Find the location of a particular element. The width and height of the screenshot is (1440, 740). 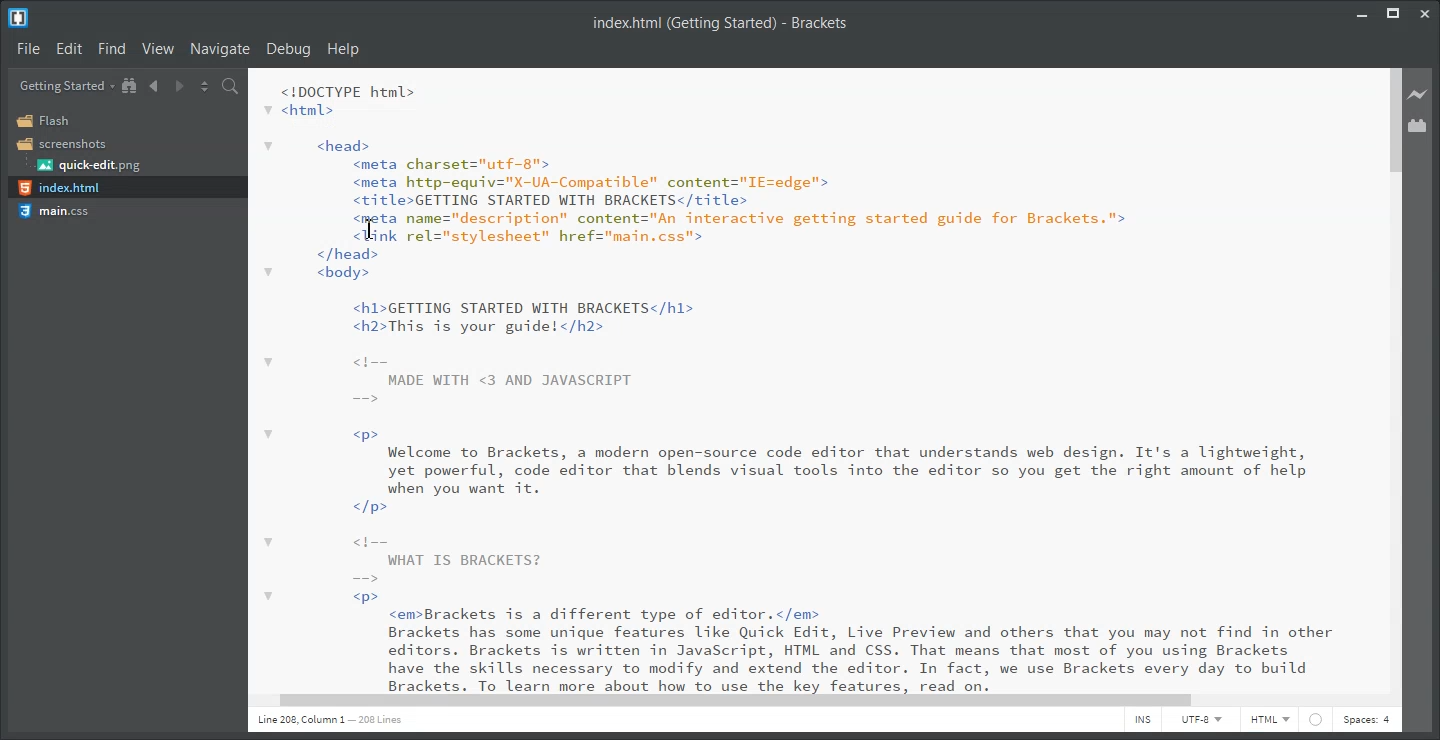

Text Cursor is located at coordinates (371, 230).